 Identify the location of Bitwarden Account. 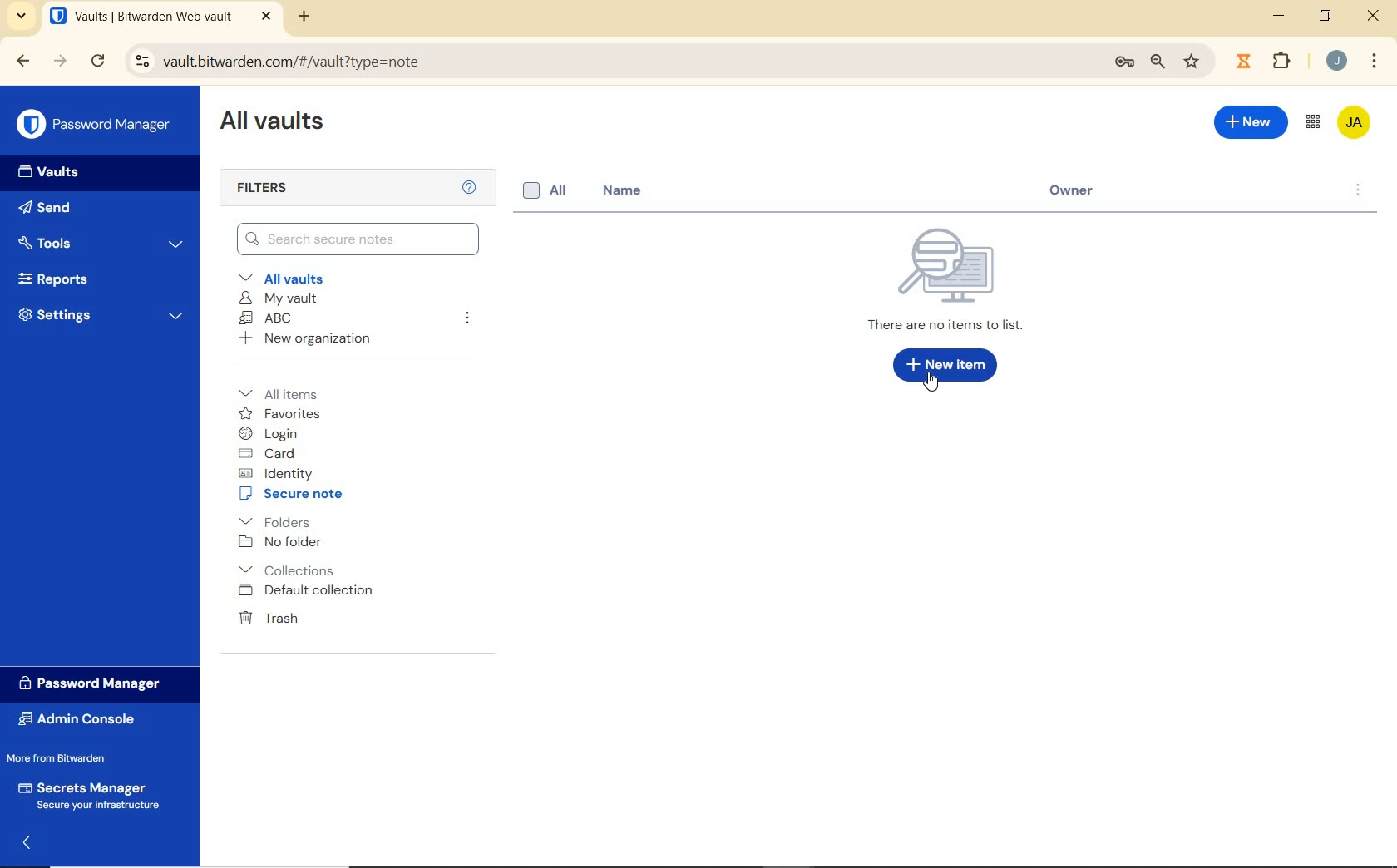
(1355, 124).